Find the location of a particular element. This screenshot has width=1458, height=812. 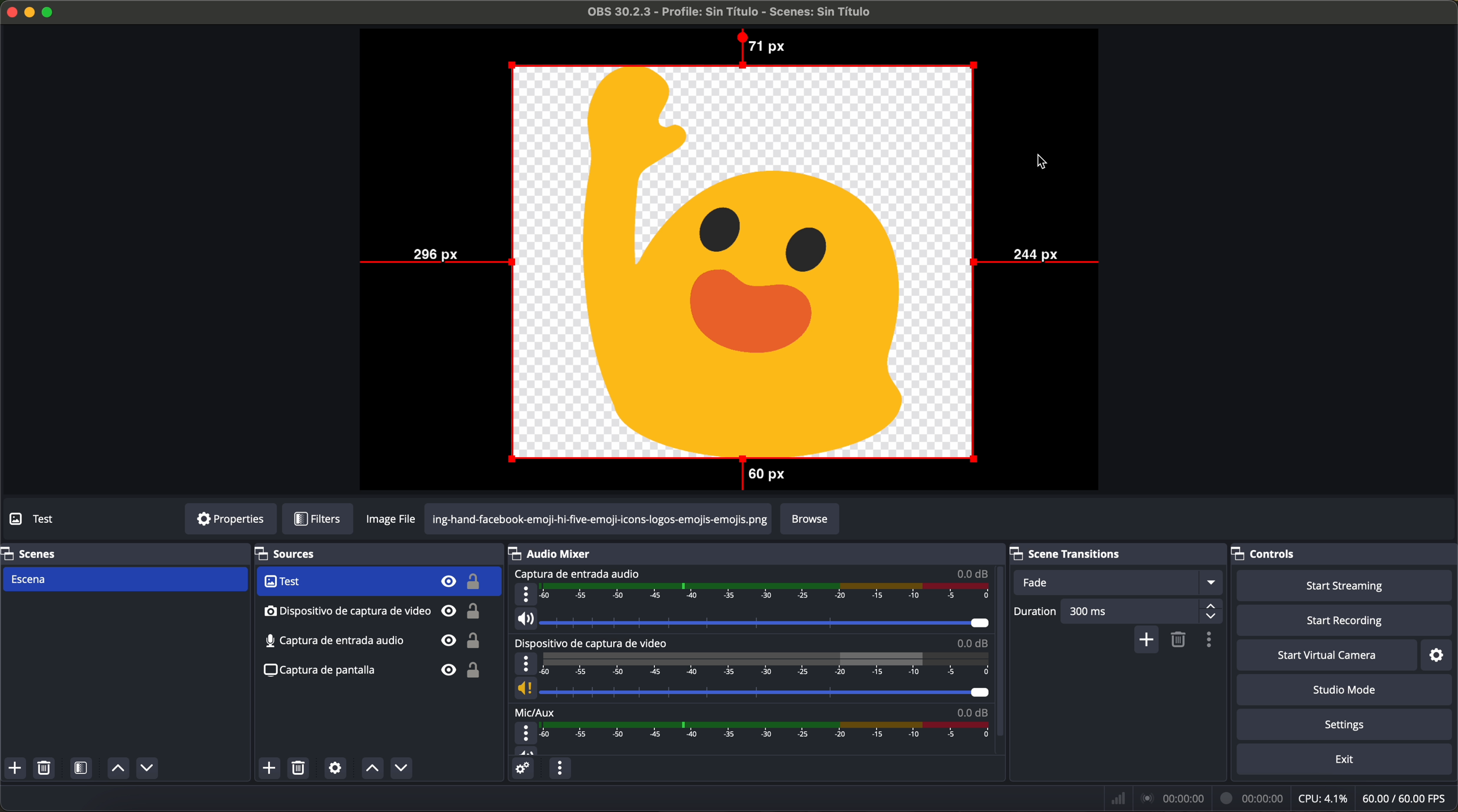

sources is located at coordinates (300, 555).